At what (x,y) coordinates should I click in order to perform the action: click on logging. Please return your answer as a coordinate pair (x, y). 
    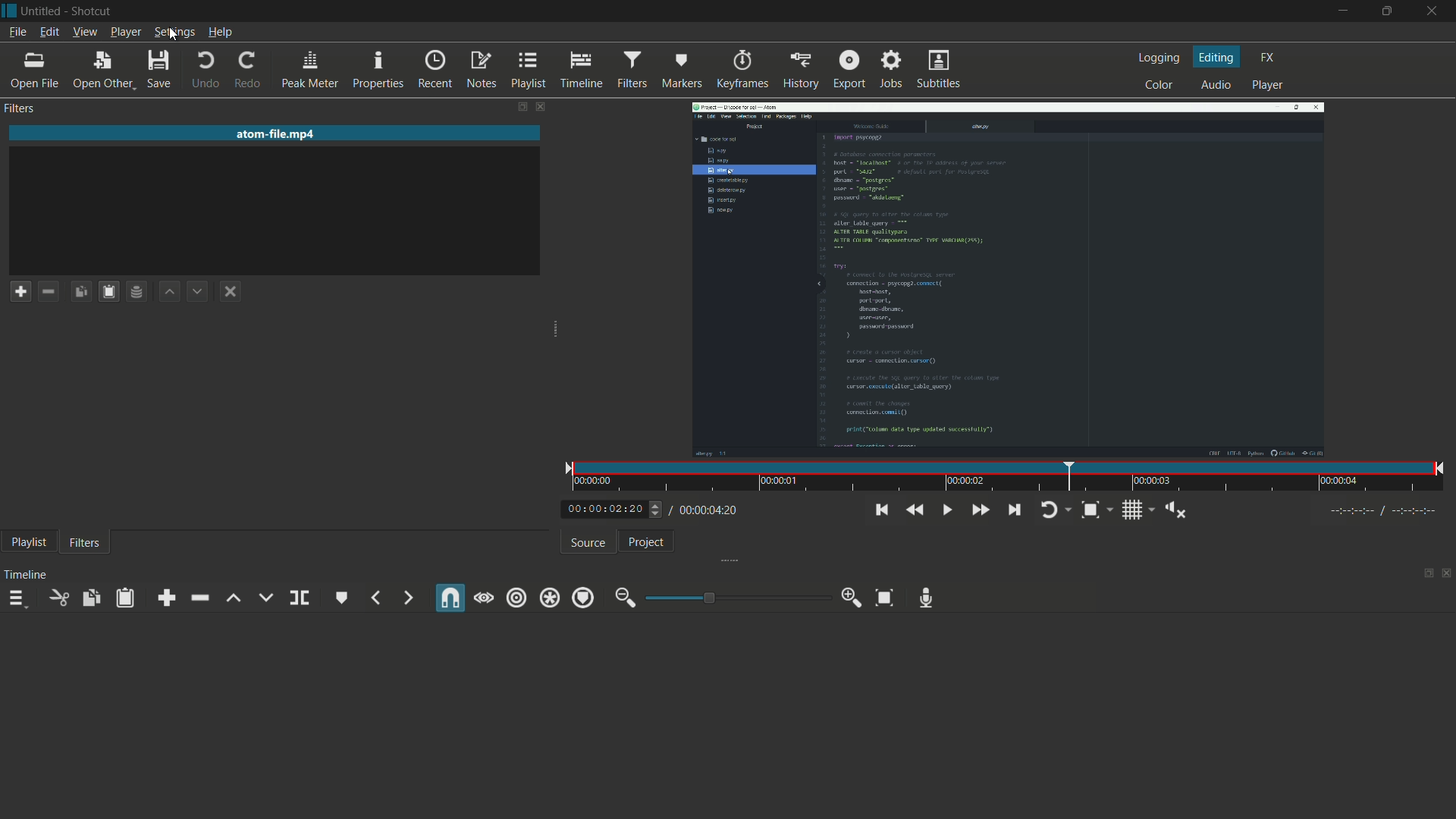
    Looking at the image, I should click on (1158, 57).